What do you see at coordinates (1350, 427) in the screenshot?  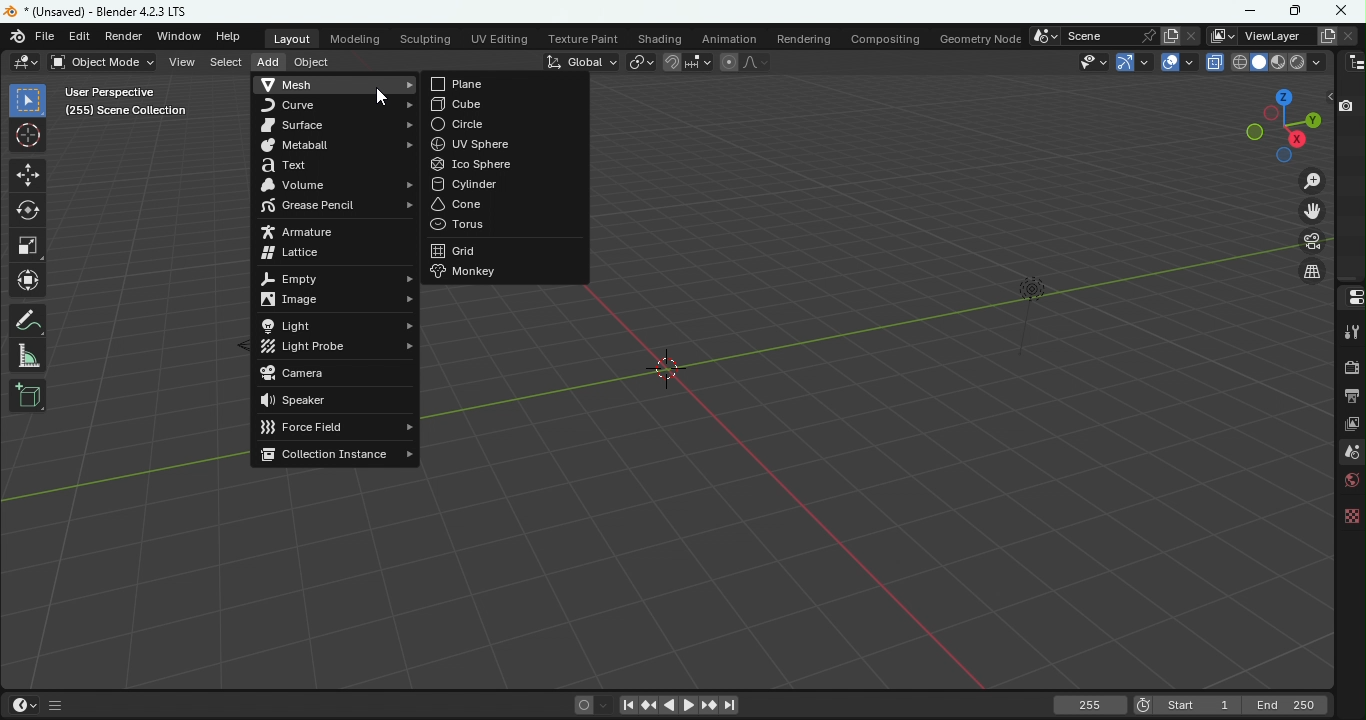 I see `View layer` at bounding box center [1350, 427].